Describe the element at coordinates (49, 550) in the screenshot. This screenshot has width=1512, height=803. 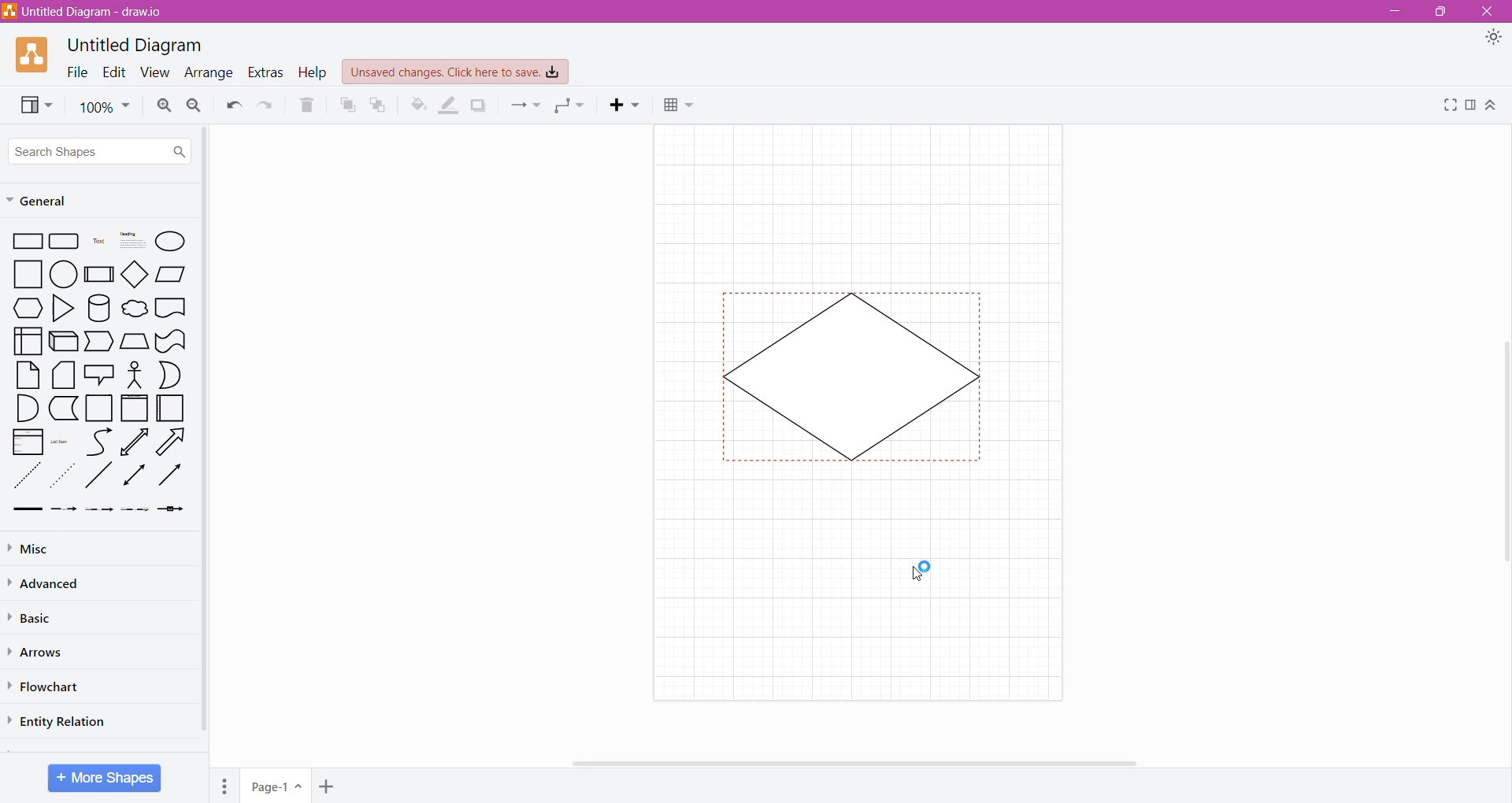
I see `Misc` at that location.